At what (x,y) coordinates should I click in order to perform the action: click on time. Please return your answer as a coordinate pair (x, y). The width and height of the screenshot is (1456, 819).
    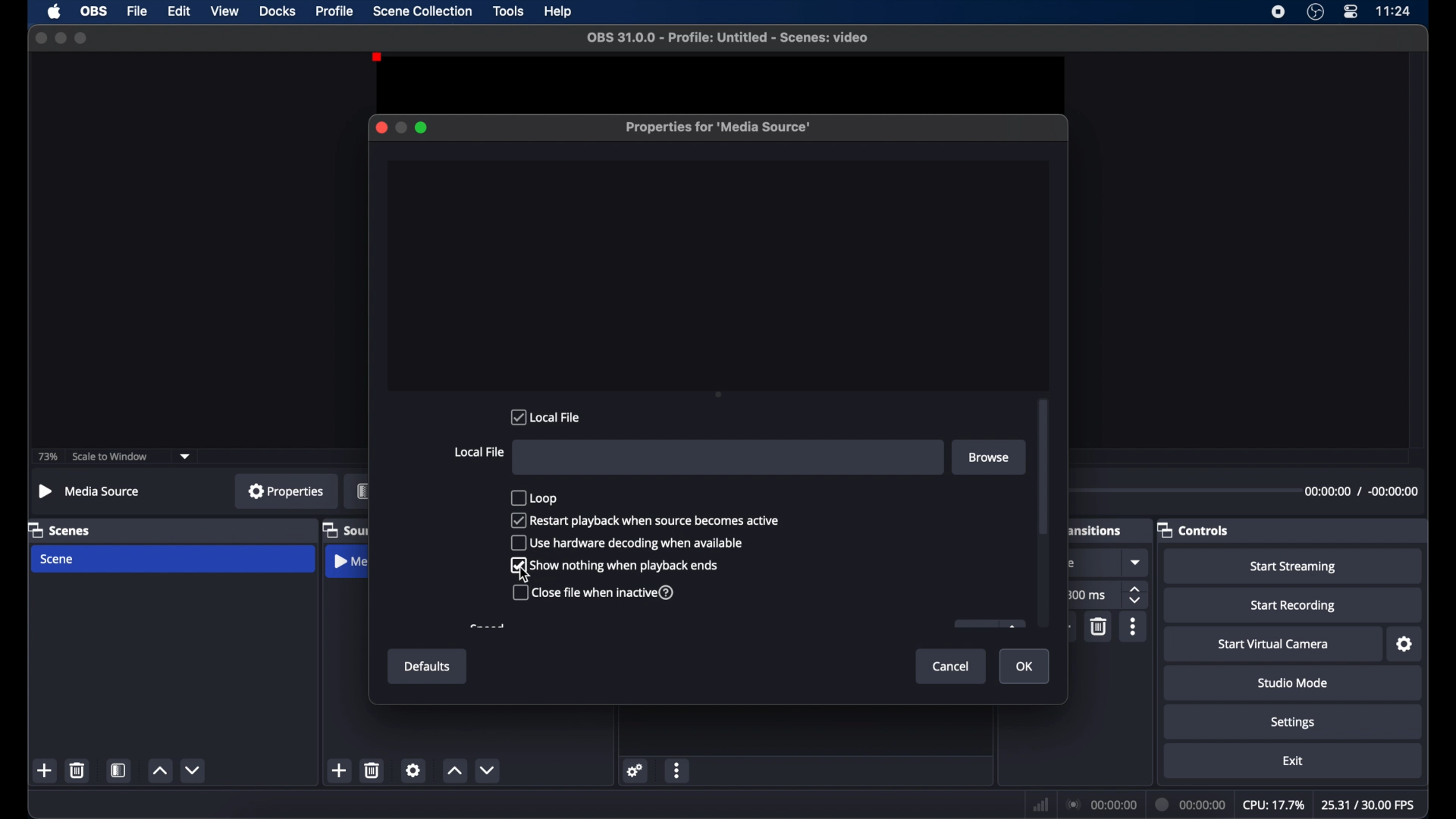
    Looking at the image, I should click on (1393, 11).